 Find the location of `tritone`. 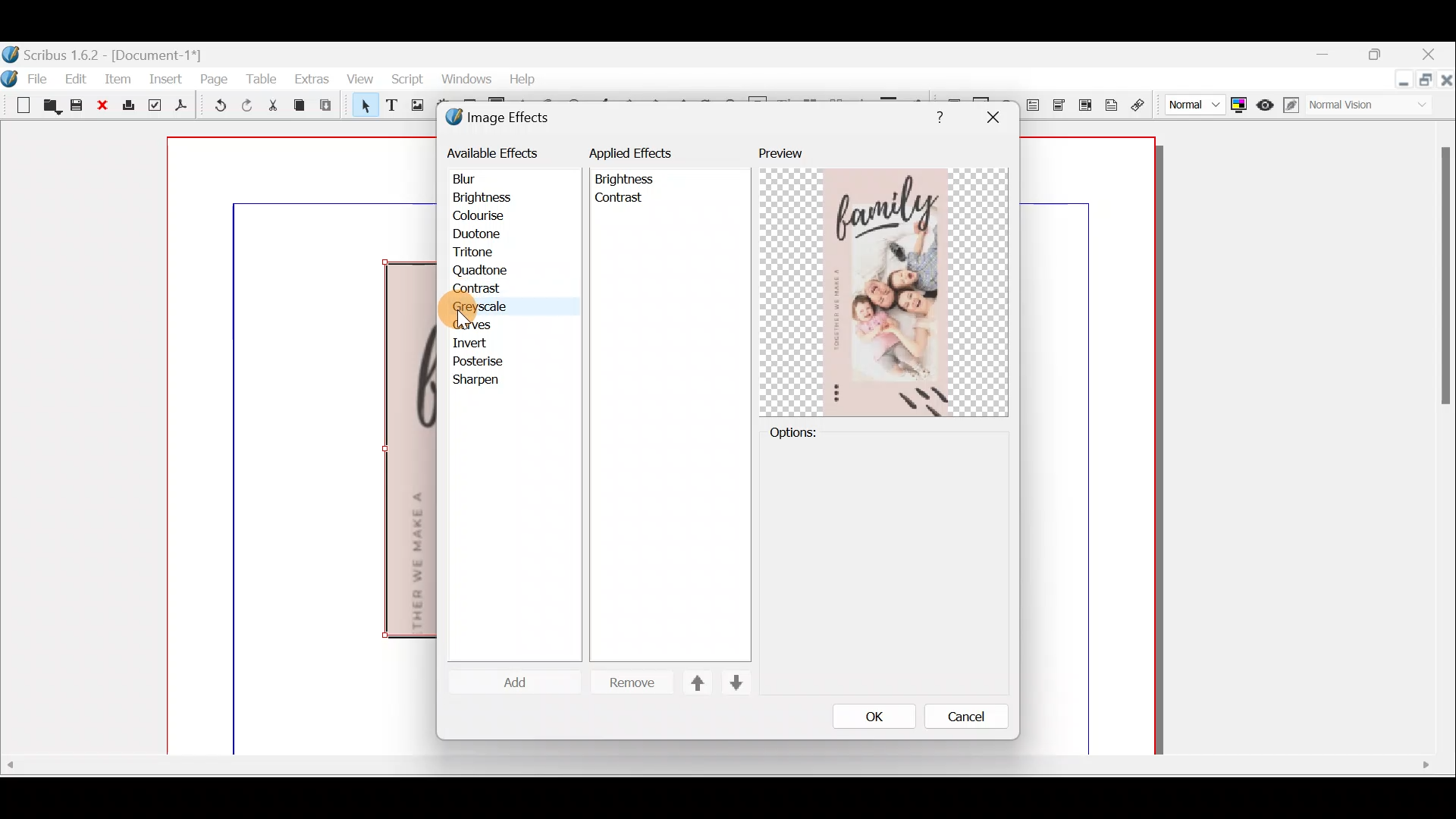

tritone is located at coordinates (497, 252).